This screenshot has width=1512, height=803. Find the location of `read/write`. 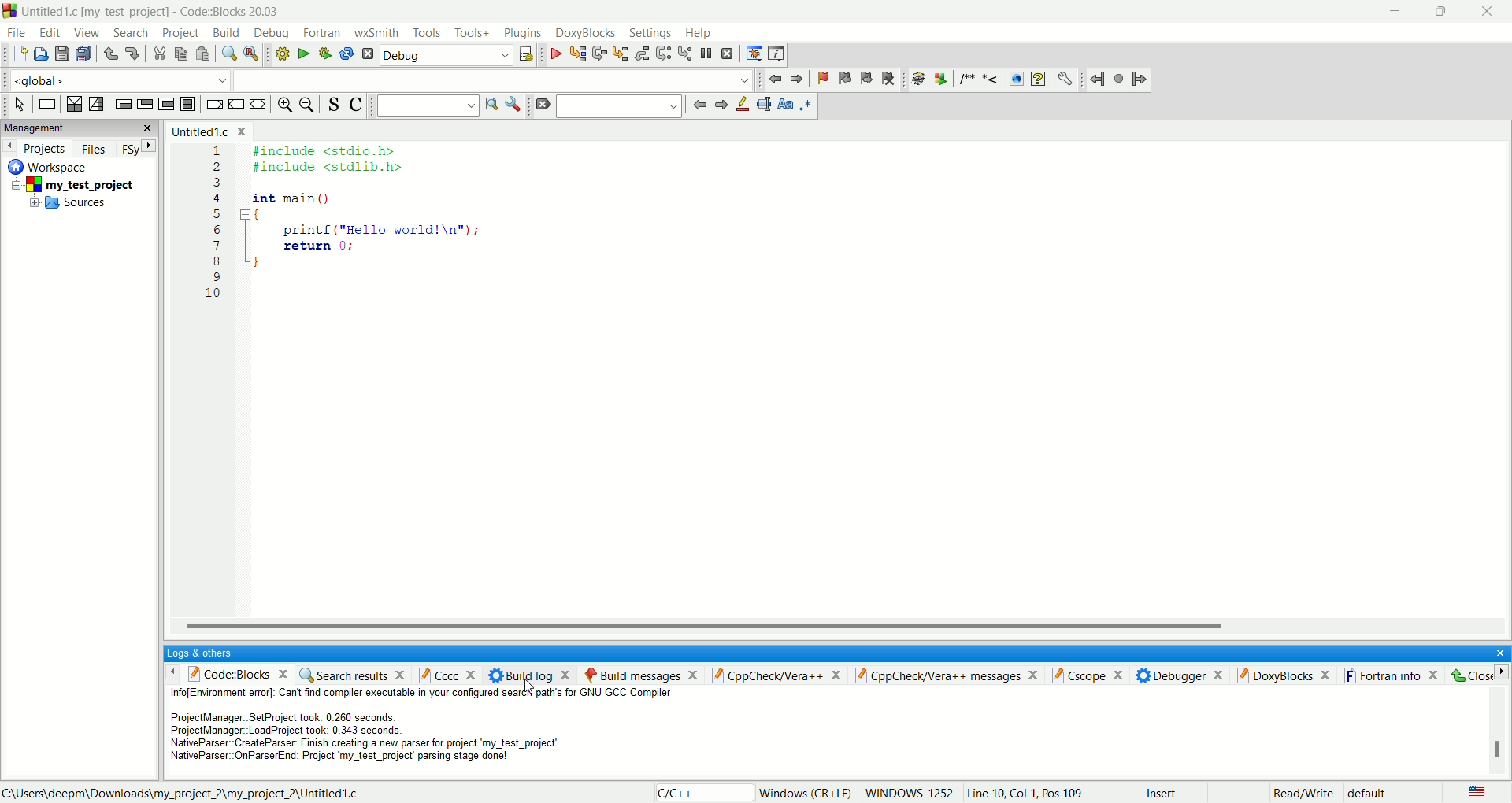

read/write is located at coordinates (1303, 794).